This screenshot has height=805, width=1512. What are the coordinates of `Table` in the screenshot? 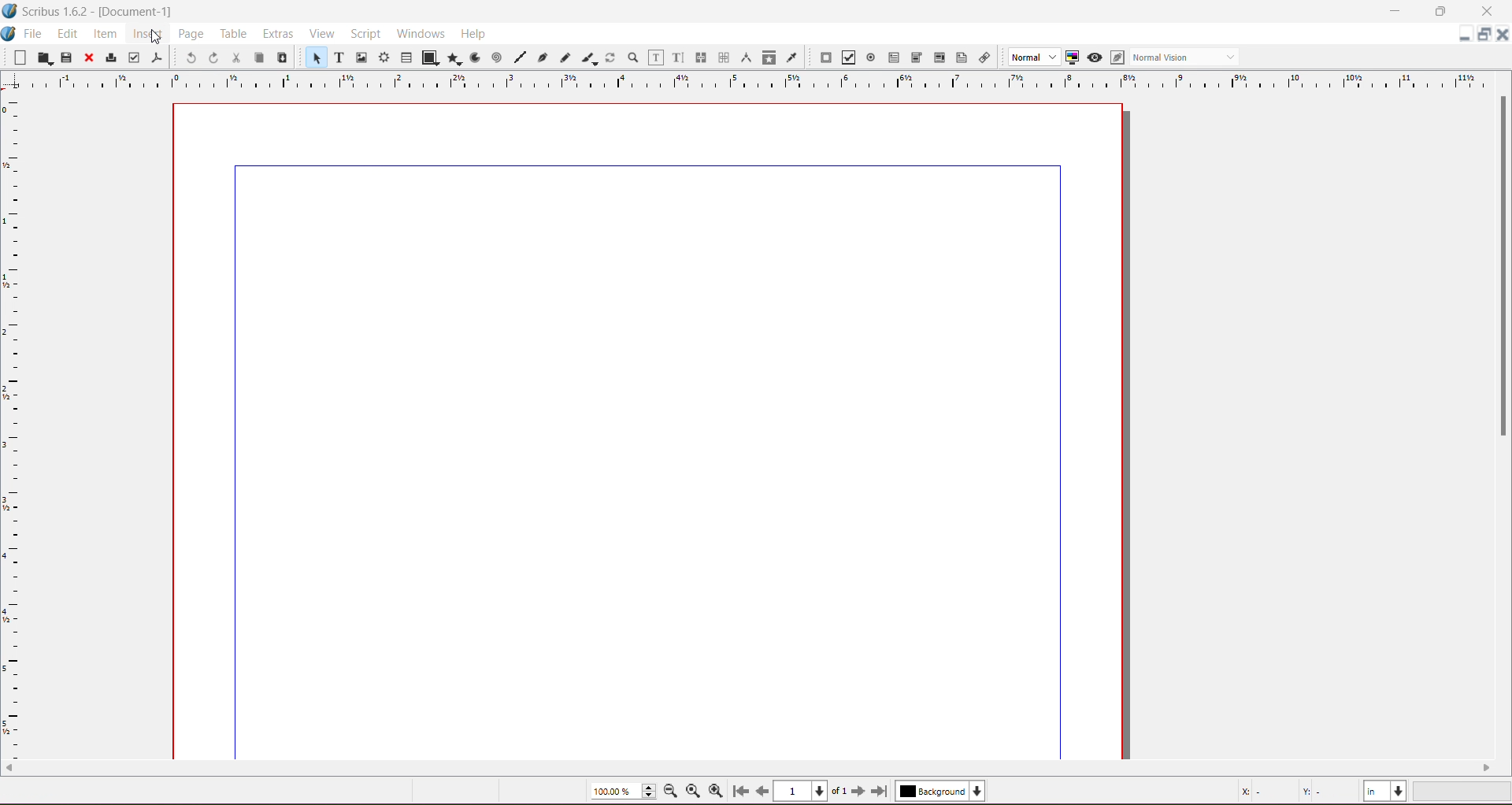 It's located at (406, 57).